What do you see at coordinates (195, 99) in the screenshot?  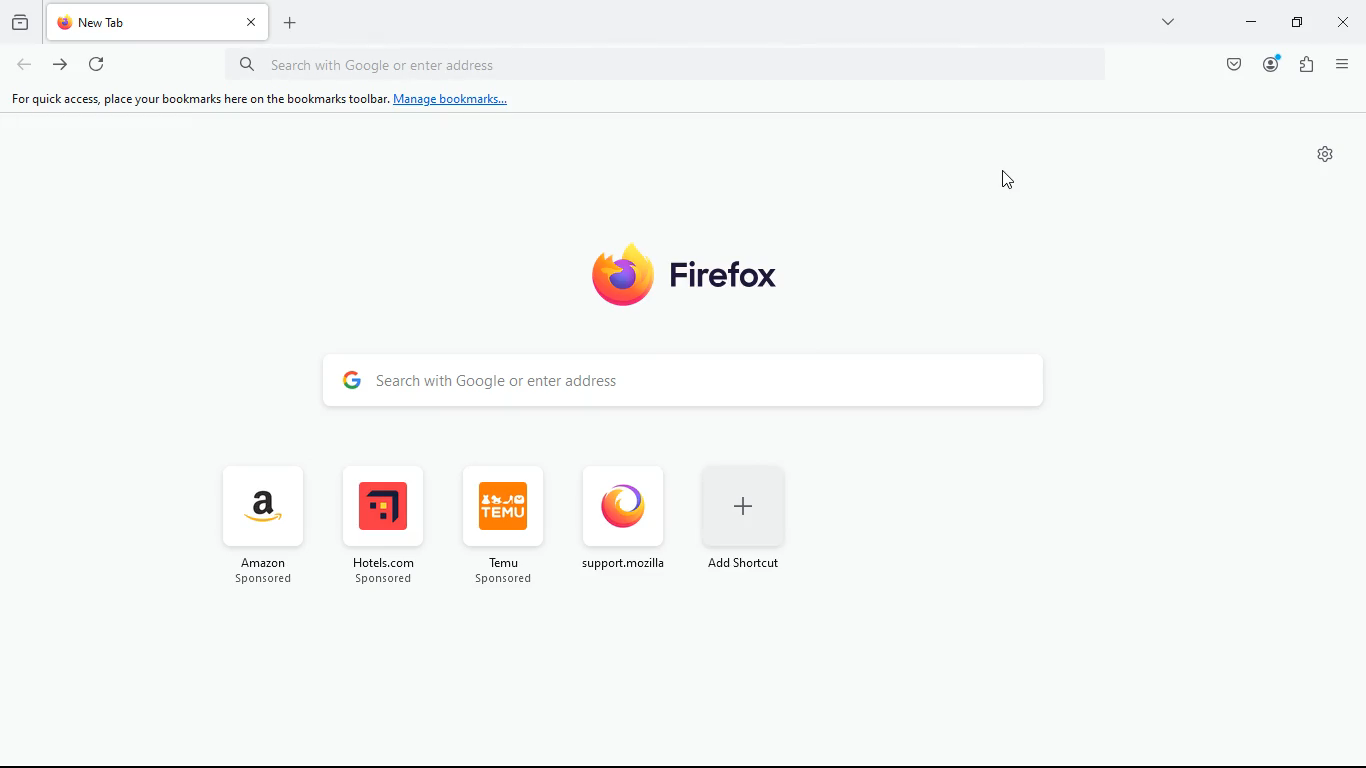 I see `For quick access, place your bookmarks here on the bookmarks toolbar` at bounding box center [195, 99].